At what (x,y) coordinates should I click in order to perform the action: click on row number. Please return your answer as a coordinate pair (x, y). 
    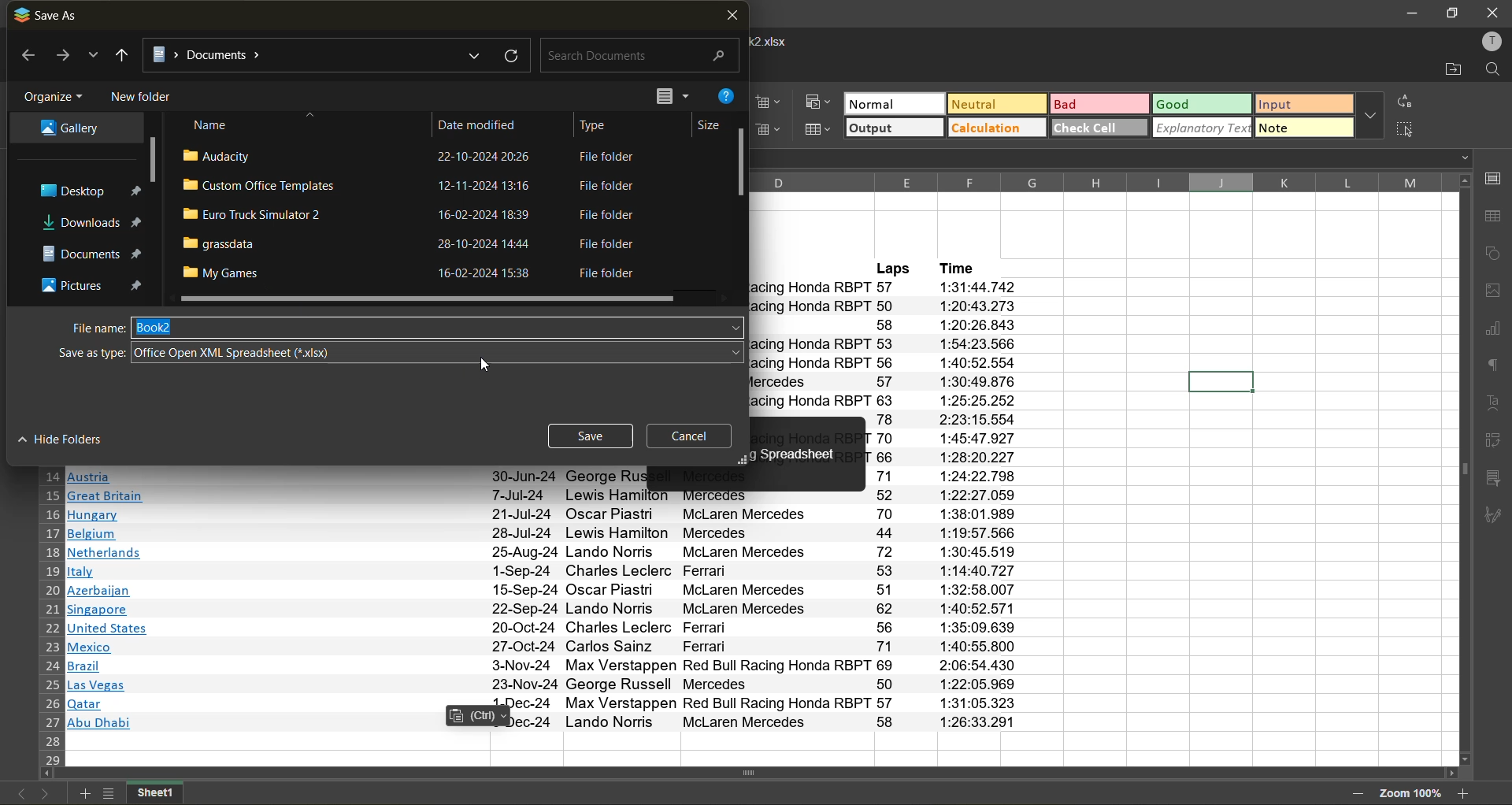
    Looking at the image, I should click on (50, 617).